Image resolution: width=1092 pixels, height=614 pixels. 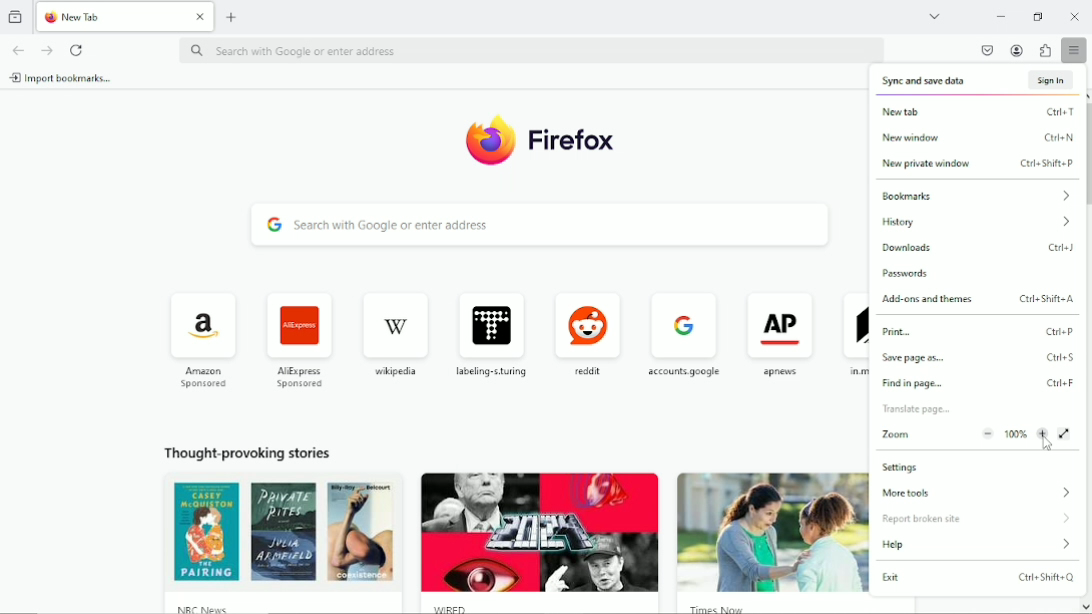 What do you see at coordinates (302, 338) in the screenshot?
I see `AliExpress` at bounding box center [302, 338].